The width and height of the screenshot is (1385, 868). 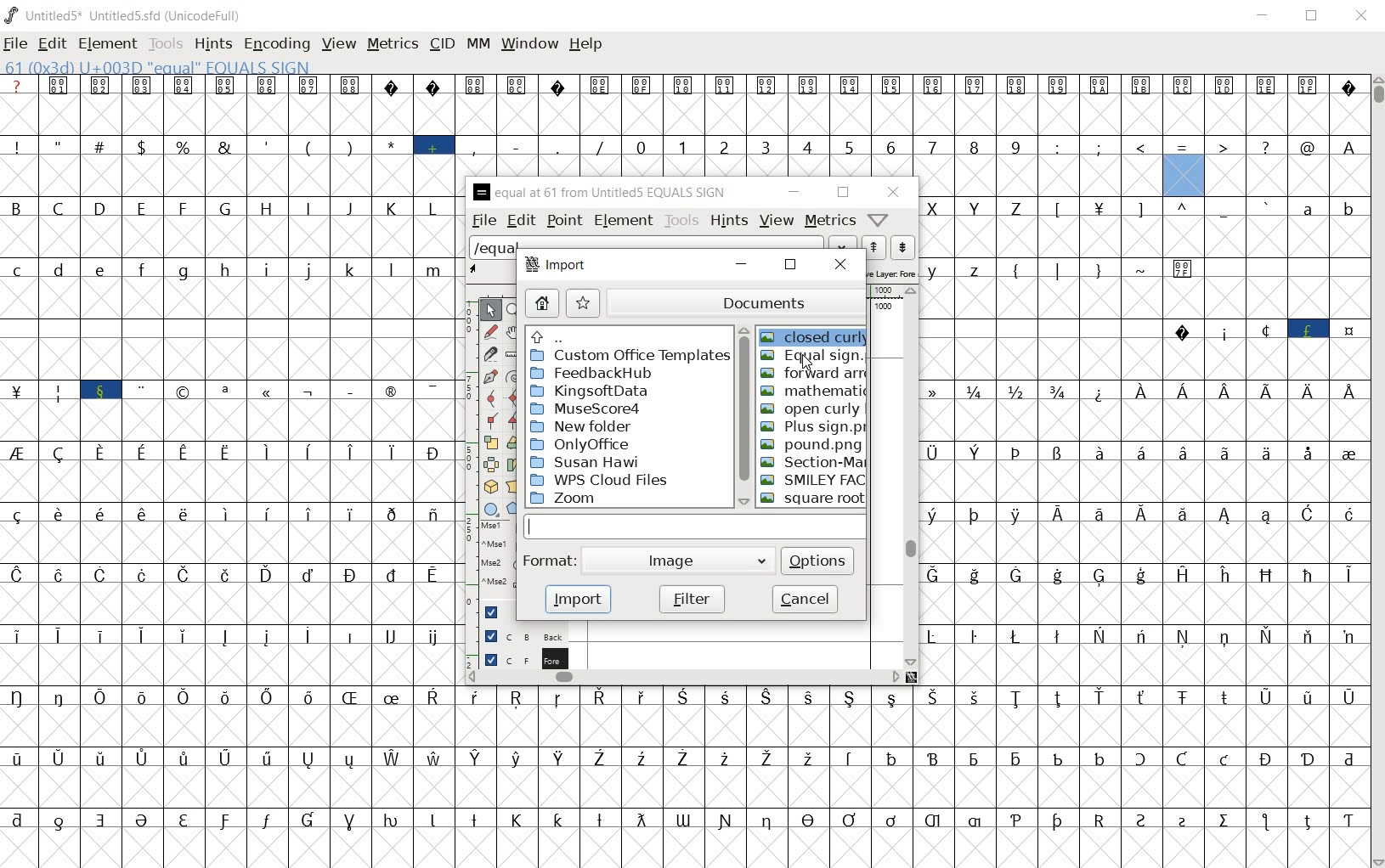 I want to click on encoding, so click(x=274, y=43).